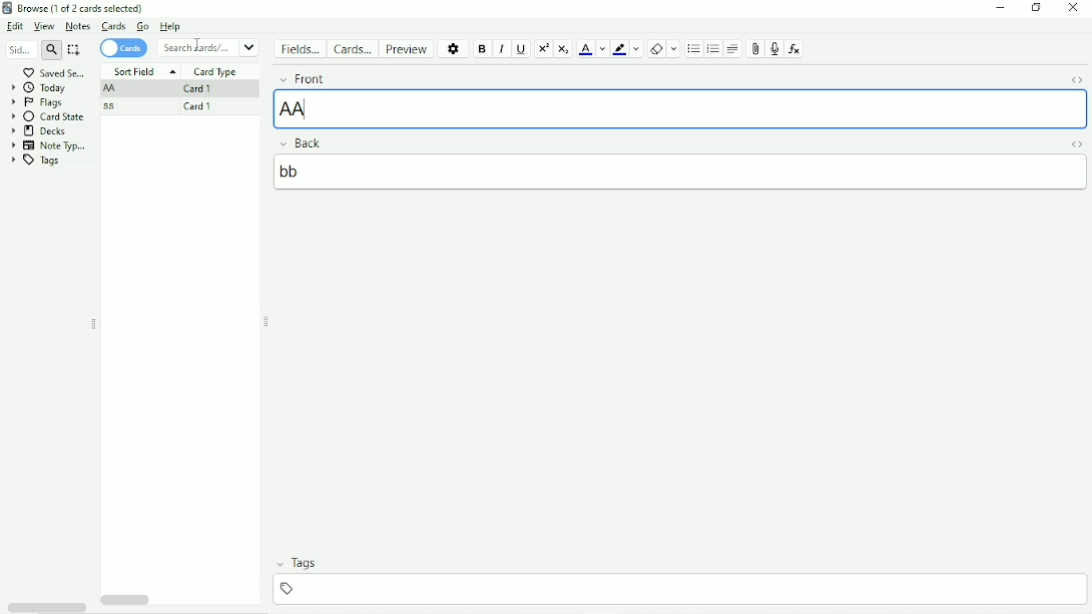  I want to click on Today, so click(43, 87).